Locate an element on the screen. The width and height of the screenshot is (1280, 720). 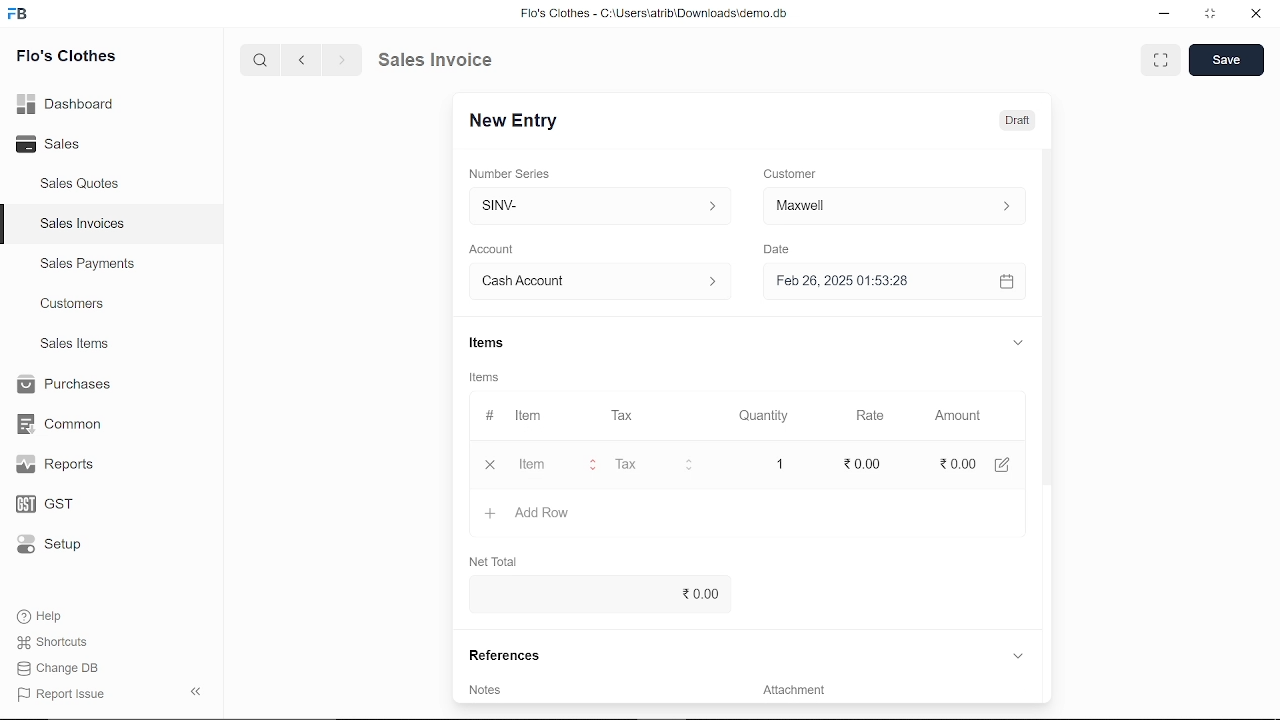
Shortcuts is located at coordinates (63, 643).